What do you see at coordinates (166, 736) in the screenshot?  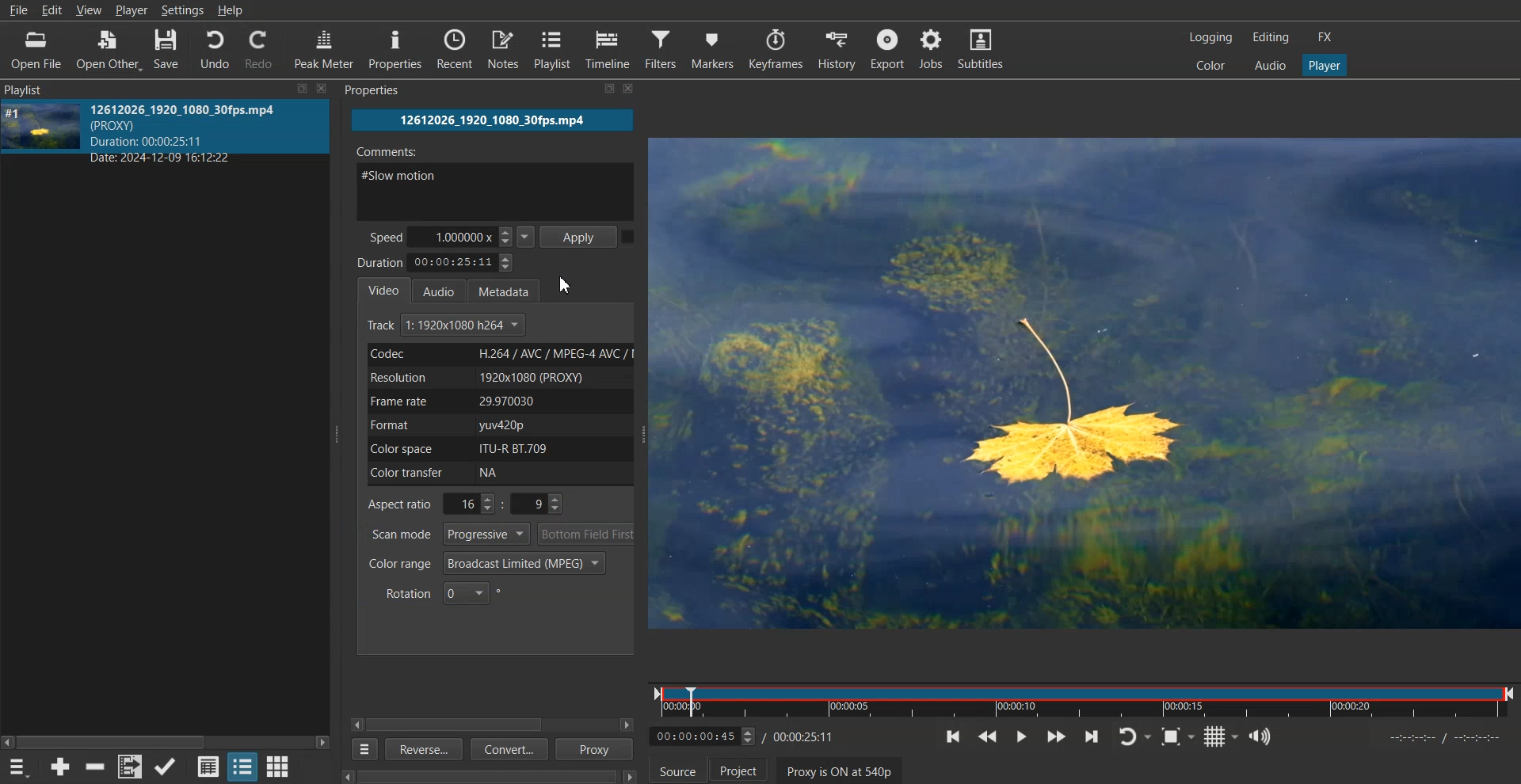 I see `scrollbar` at bounding box center [166, 736].